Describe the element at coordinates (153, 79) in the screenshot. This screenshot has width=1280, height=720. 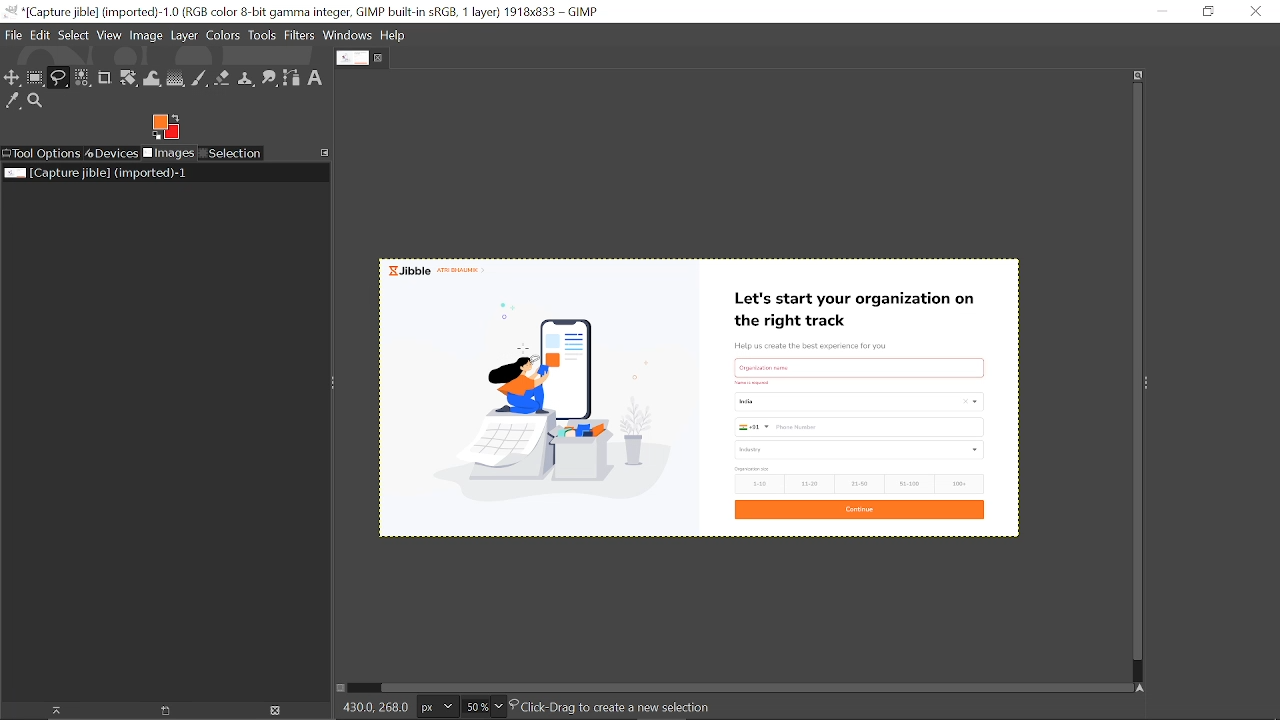
I see `Wrap text tool` at that location.